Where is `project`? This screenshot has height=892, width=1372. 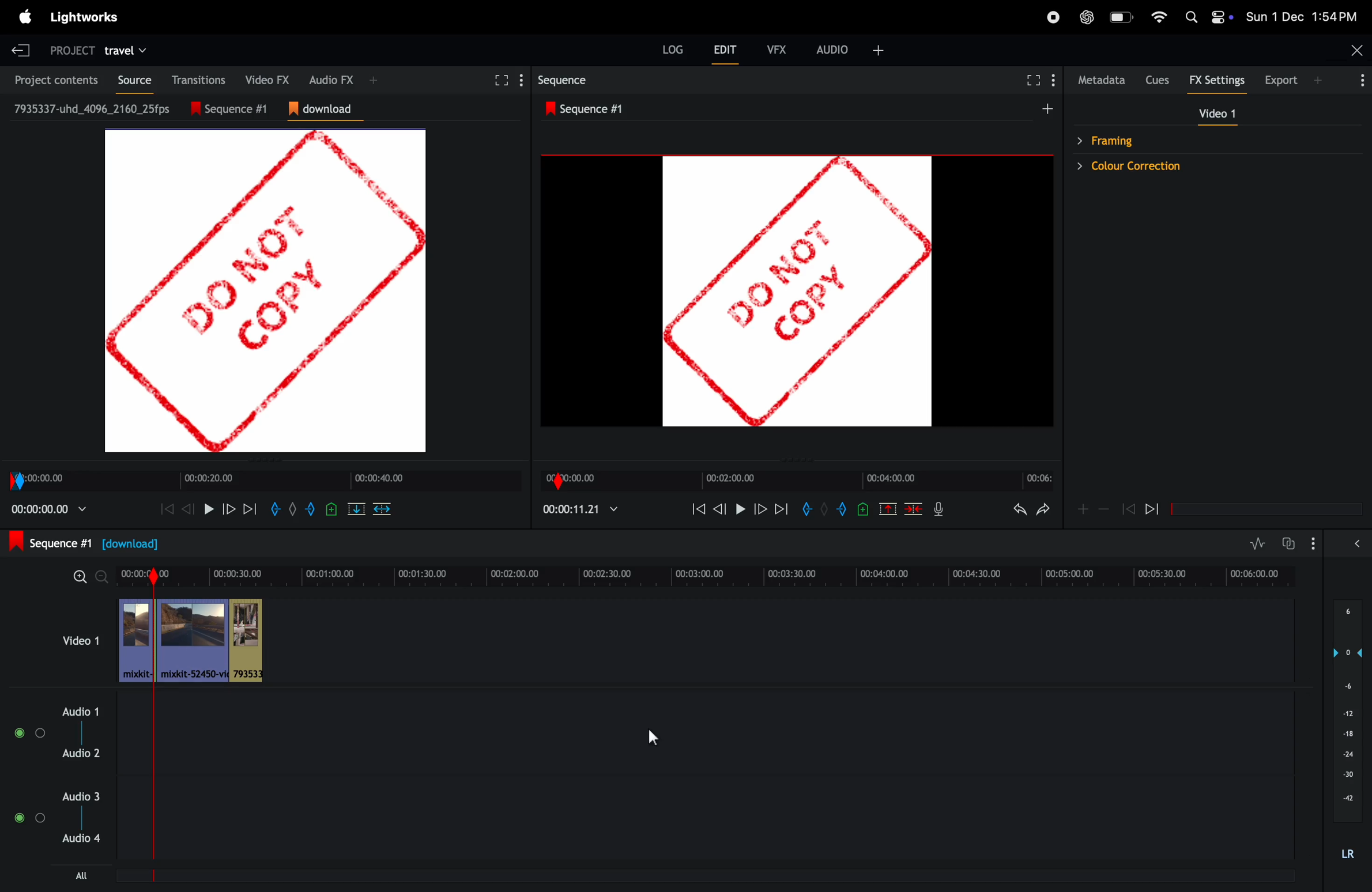 project is located at coordinates (72, 52).